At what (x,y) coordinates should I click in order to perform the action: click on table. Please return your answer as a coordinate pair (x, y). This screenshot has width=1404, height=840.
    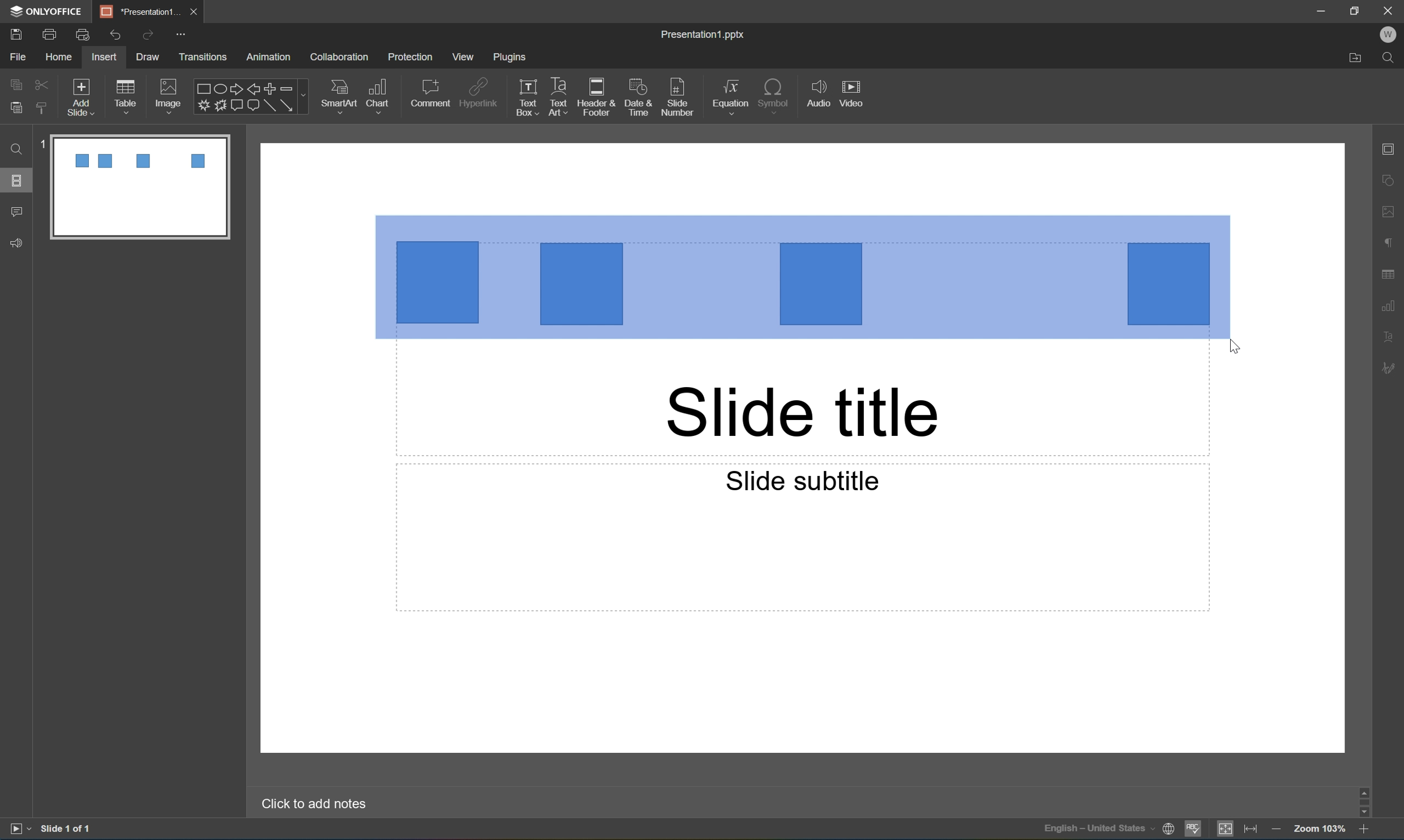
    Looking at the image, I should click on (130, 93).